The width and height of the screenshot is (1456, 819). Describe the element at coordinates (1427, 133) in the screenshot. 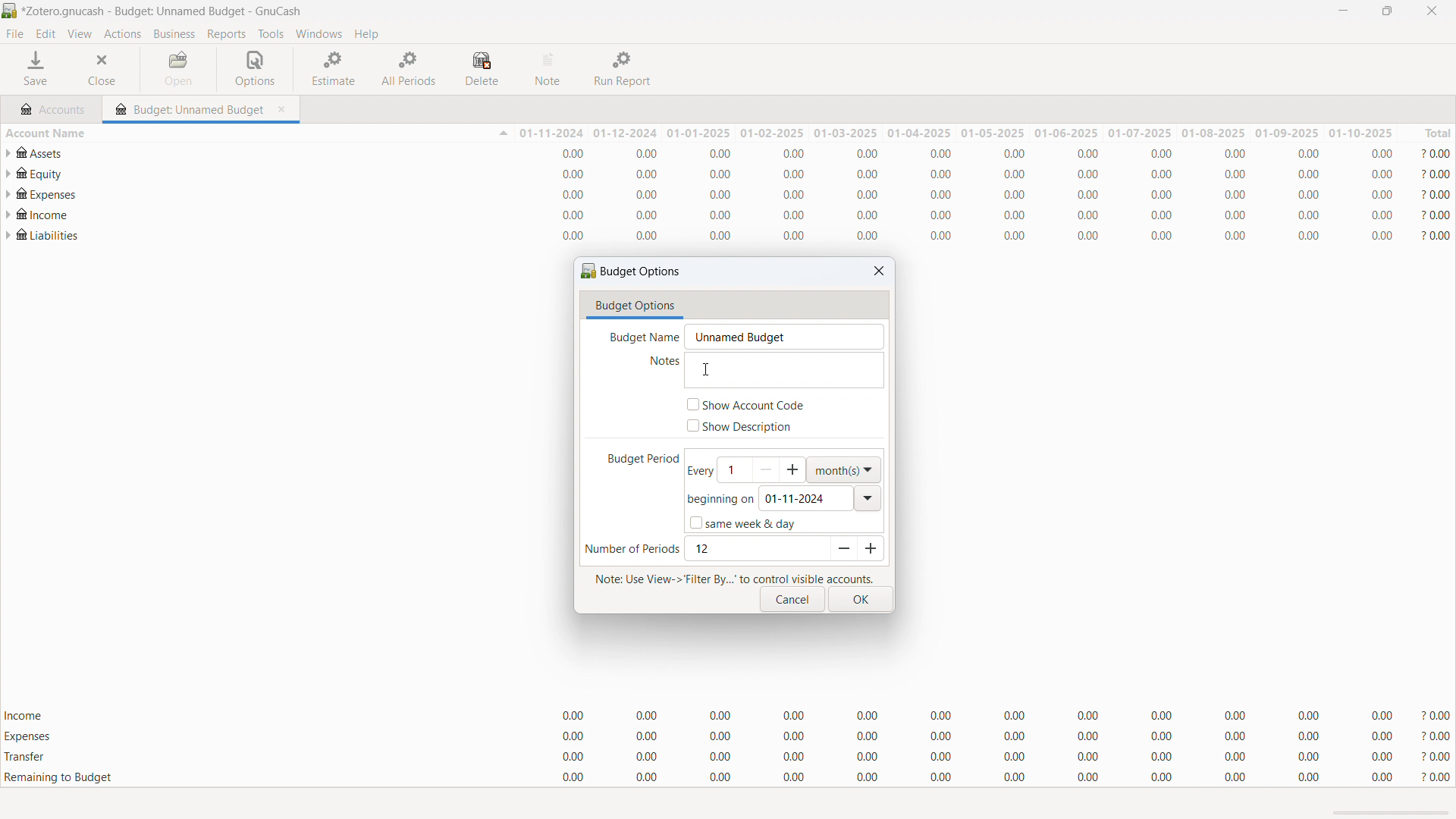

I see `total` at that location.